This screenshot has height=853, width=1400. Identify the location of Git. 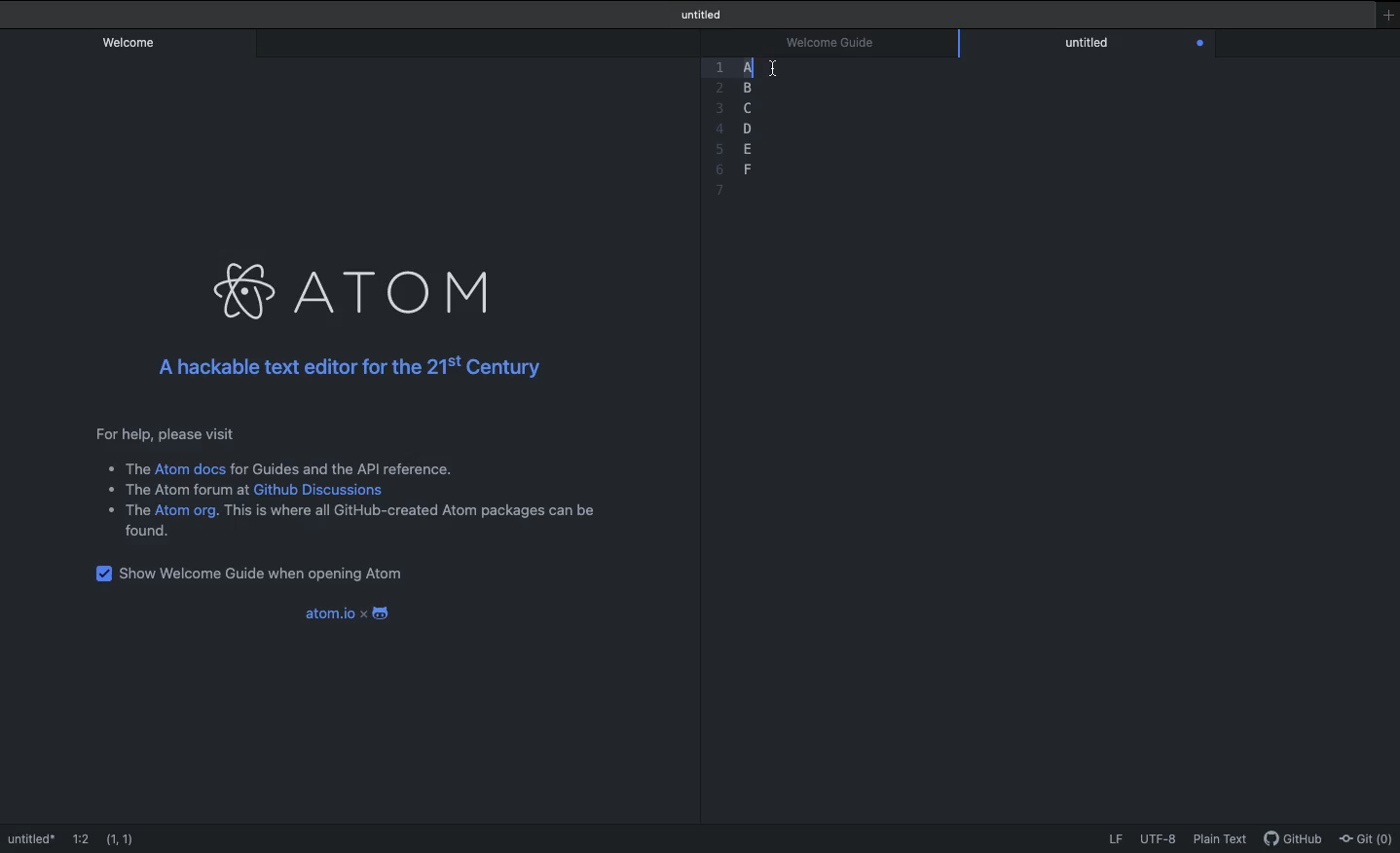
(1368, 839).